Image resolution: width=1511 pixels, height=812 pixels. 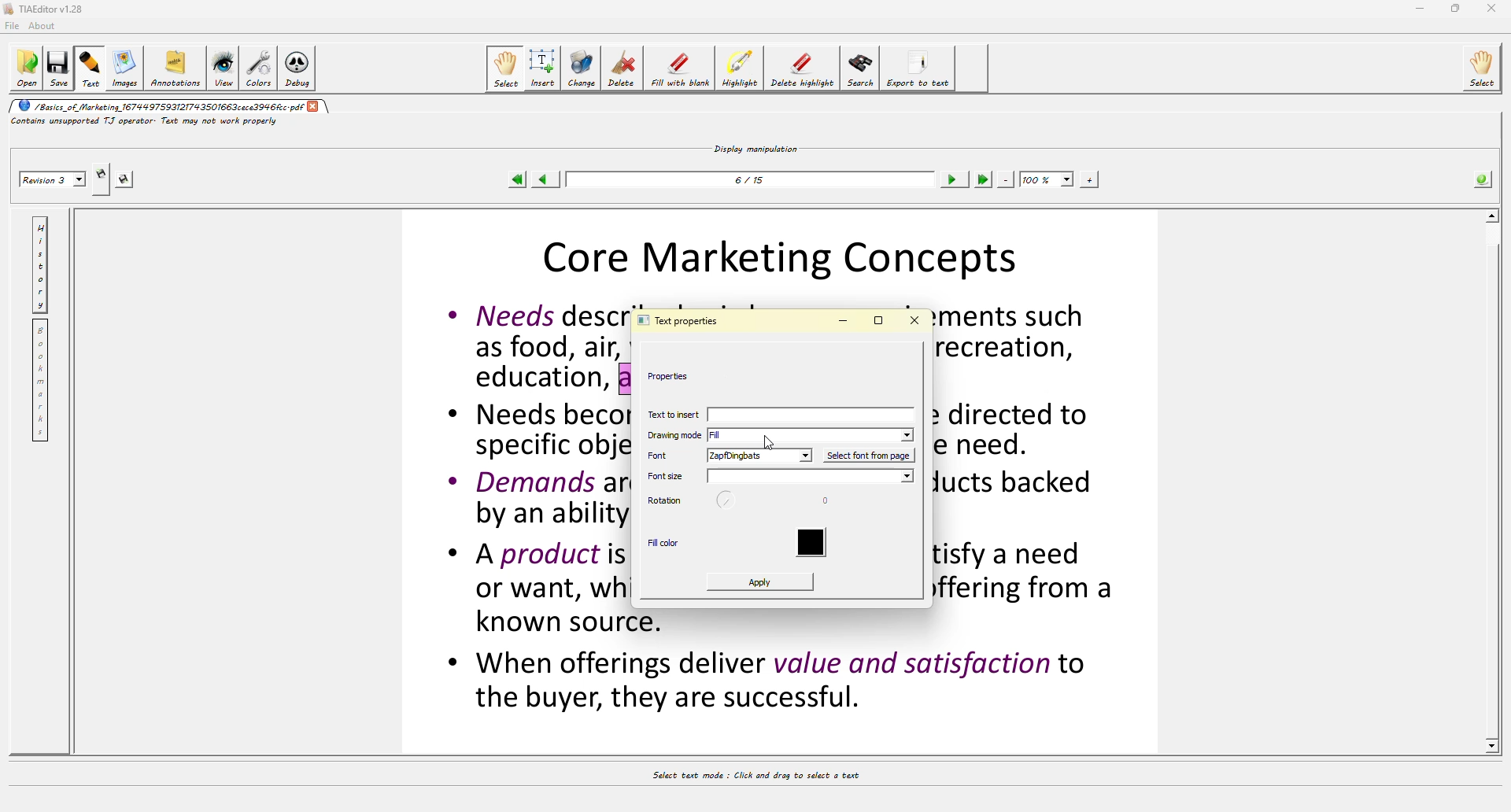 What do you see at coordinates (157, 105) in the screenshot?
I see `/basics_of_marketing_1674497593121743501663cece3946fcc.pdf` at bounding box center [157, 105].